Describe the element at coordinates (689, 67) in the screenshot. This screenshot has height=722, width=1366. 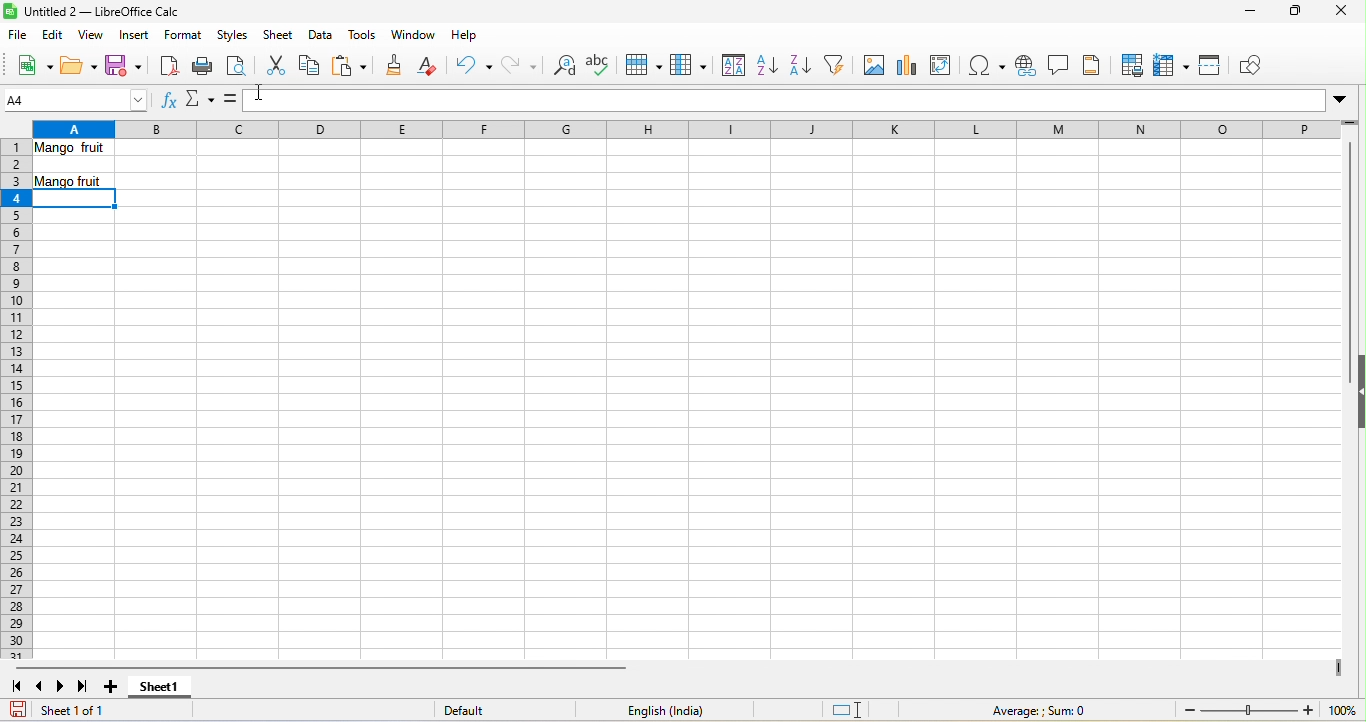
I see `column` at that location.